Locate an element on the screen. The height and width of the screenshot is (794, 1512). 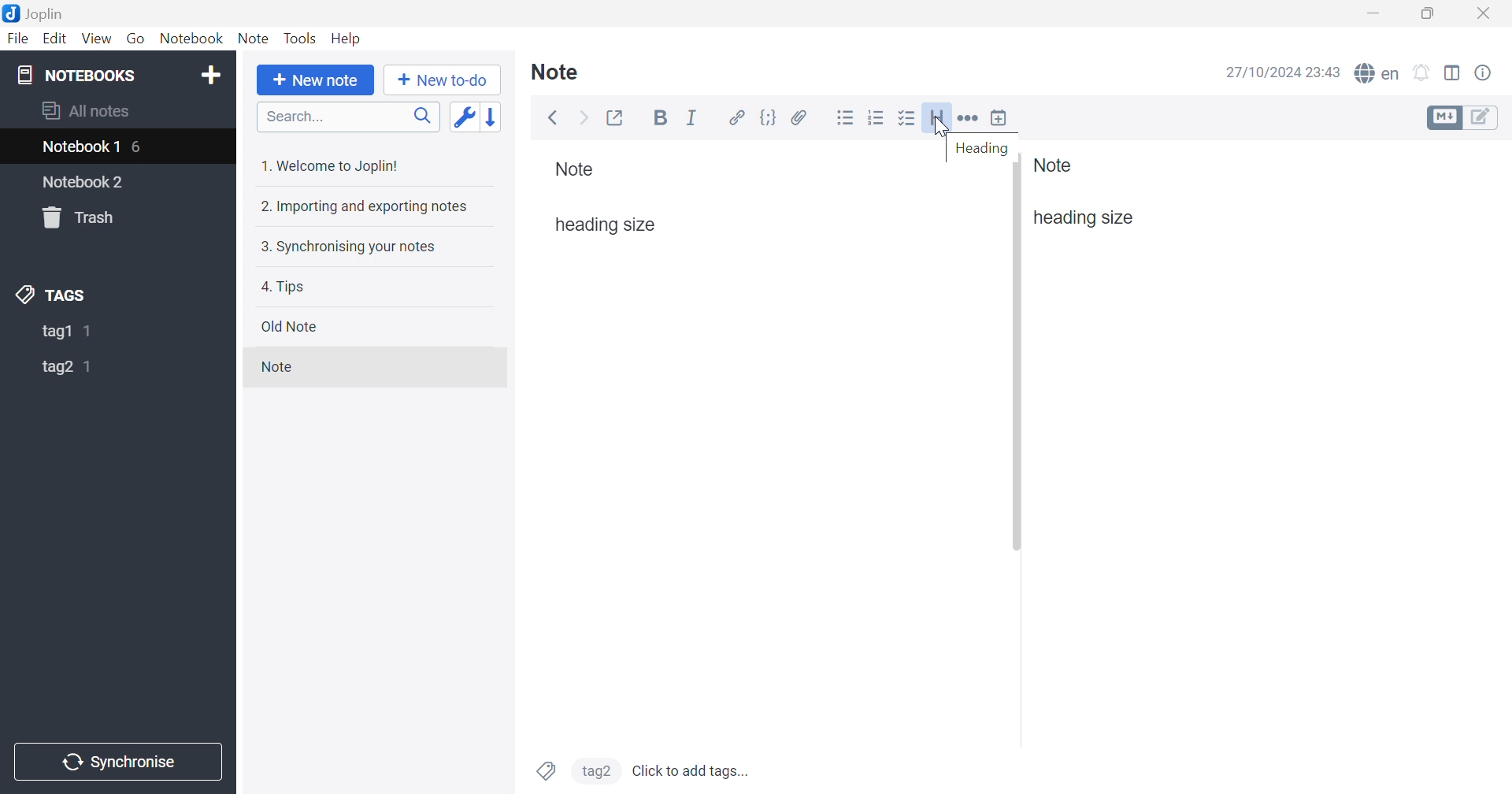
27/10/2024 is located at coordinates (1265, 73).